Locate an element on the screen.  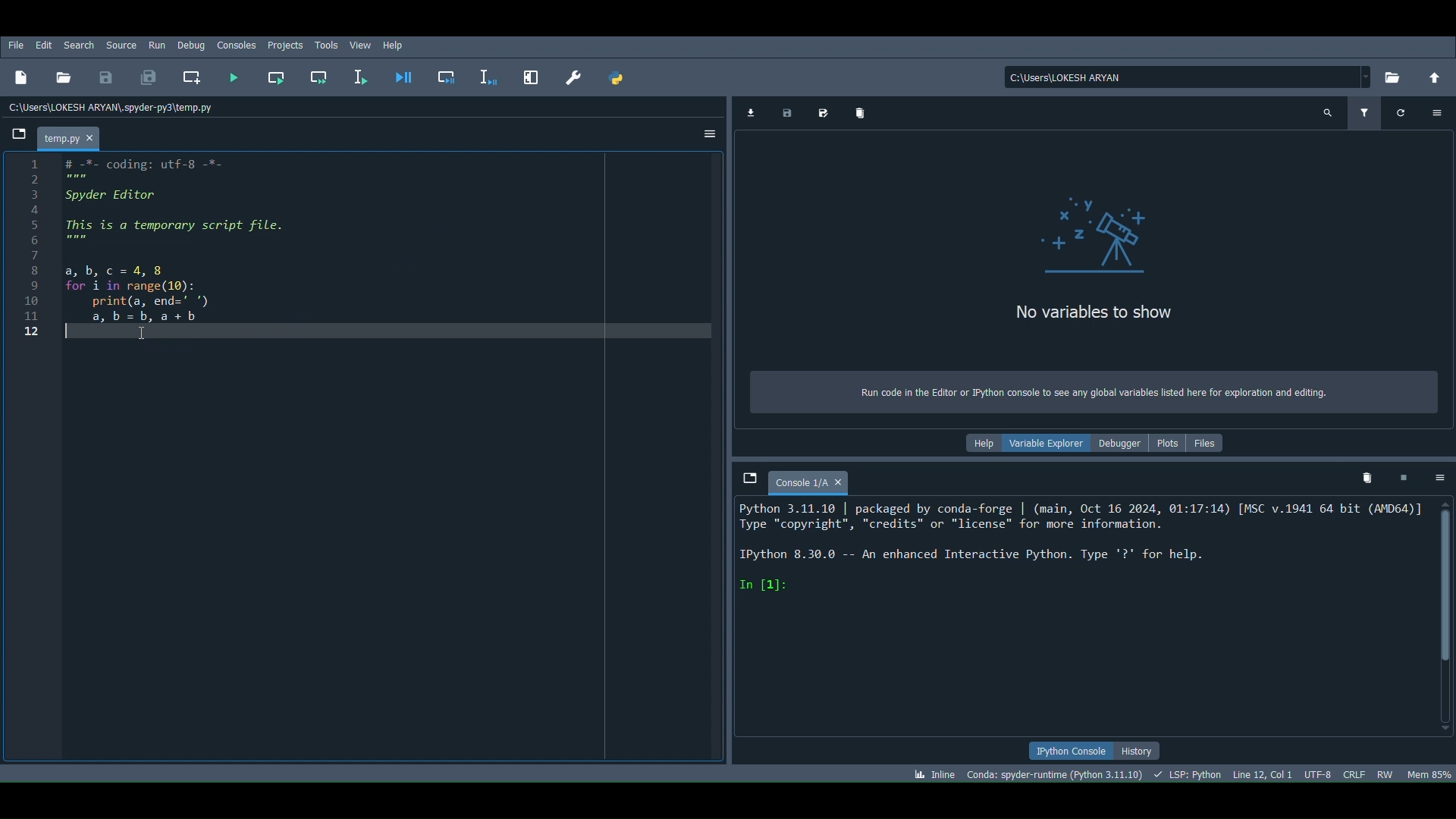
Search is located at coordinates (79, 45).